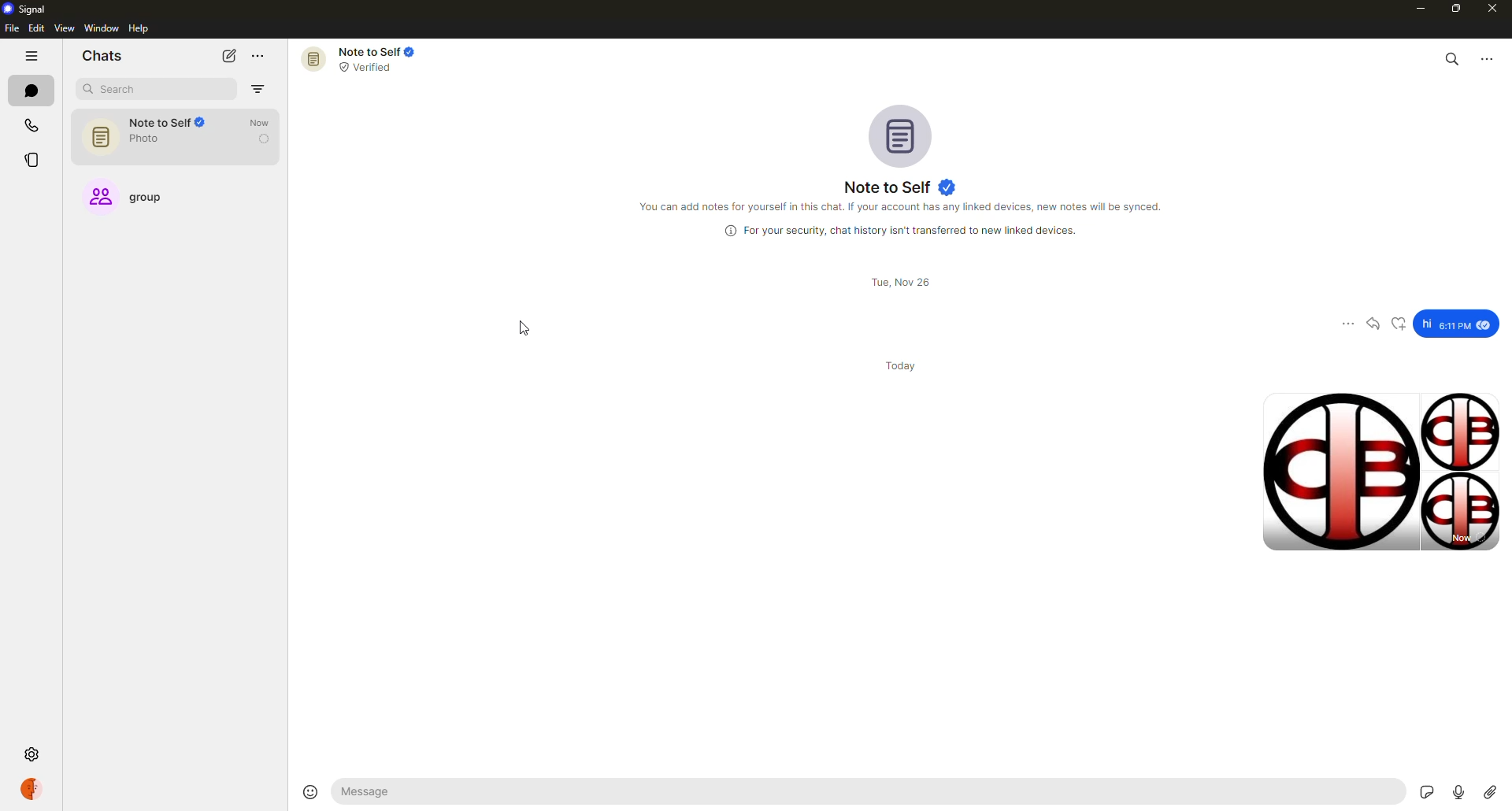 This screenshot has height=811, width=1512. What do you see at coordinates (33, 755) in the screenshot?
I see `settings` at bounding box center [33, 755].